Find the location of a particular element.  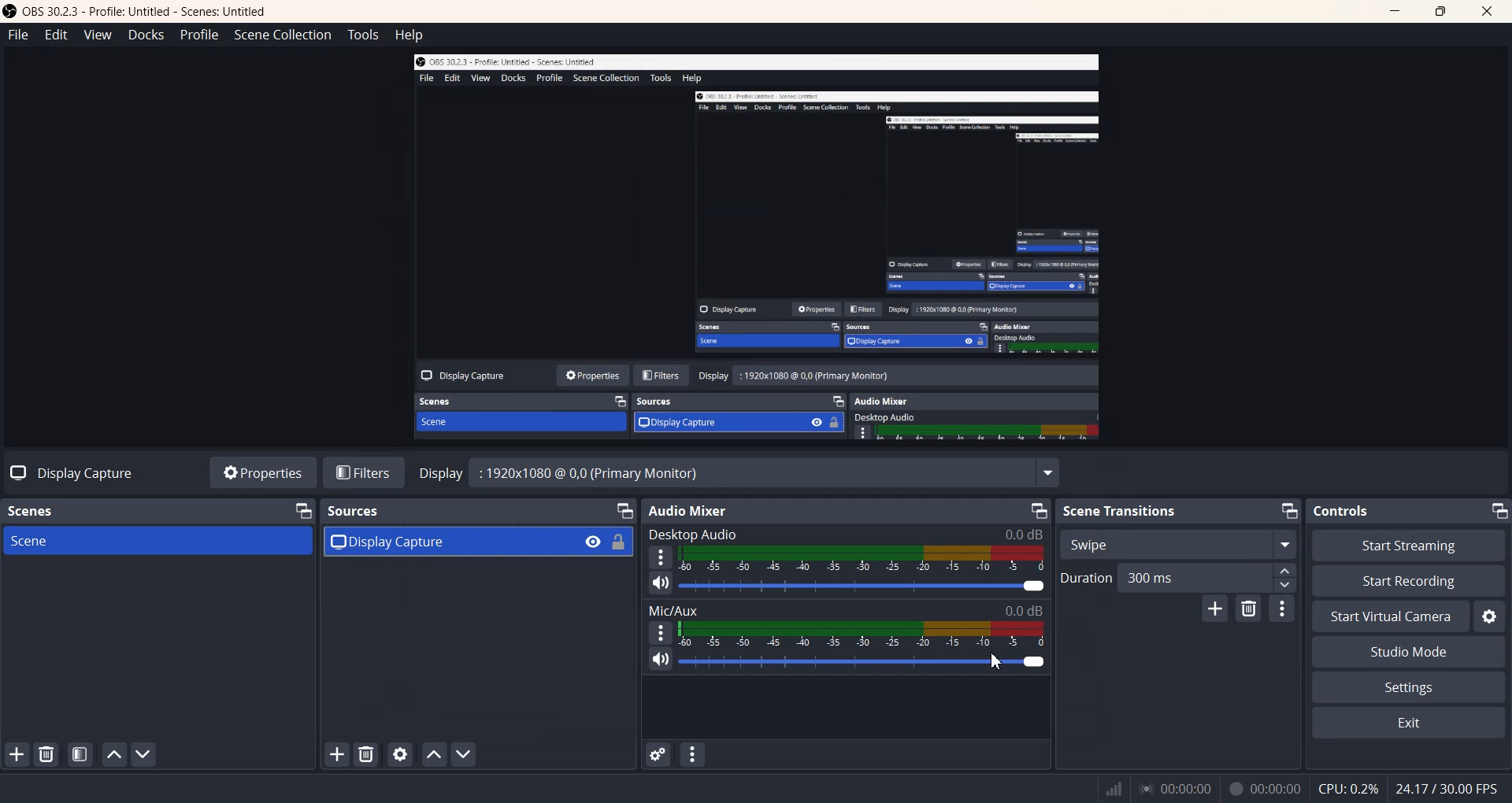

Help is located at coordinates (409, 35).